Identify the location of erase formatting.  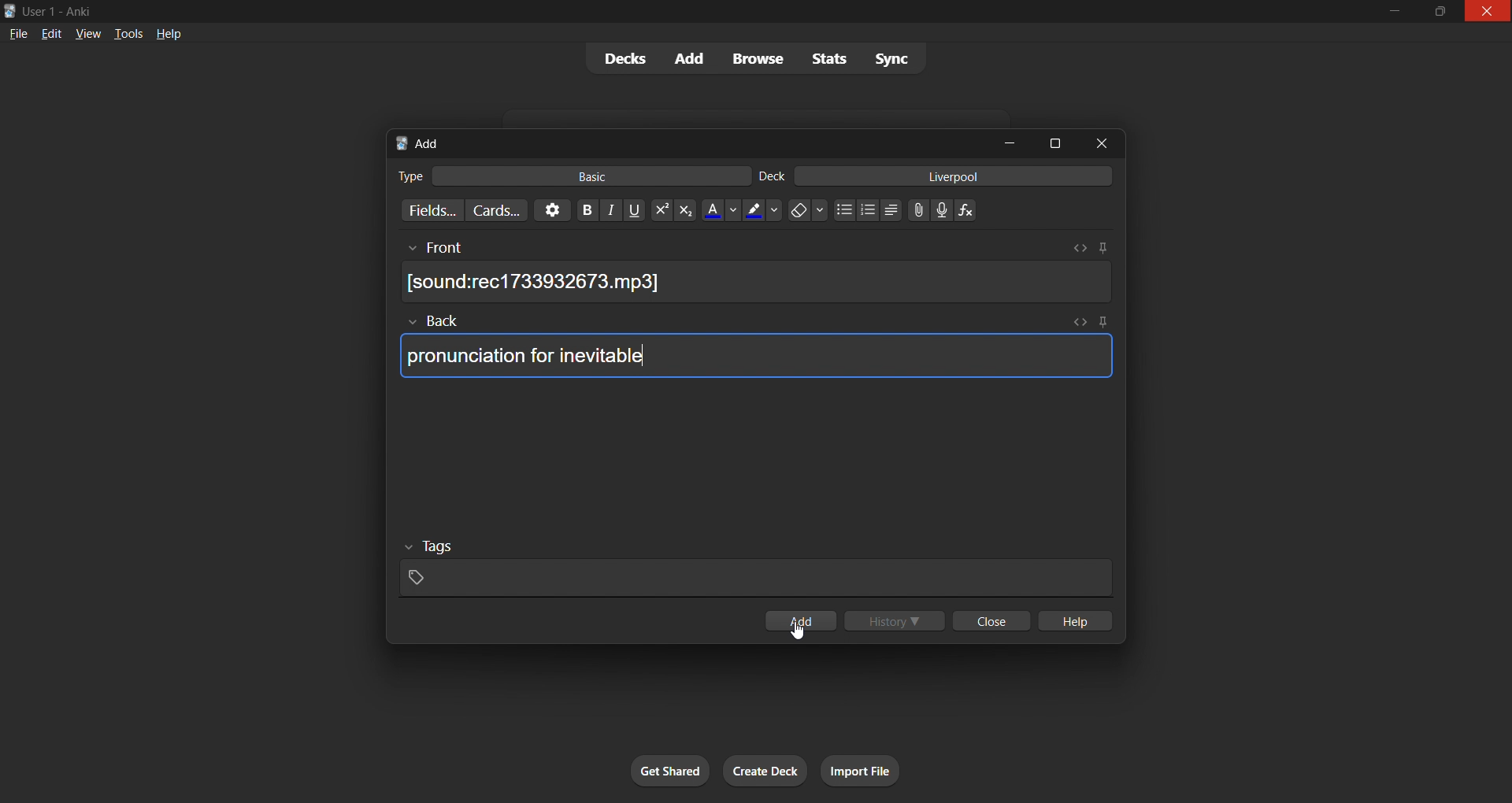
(806, 211).